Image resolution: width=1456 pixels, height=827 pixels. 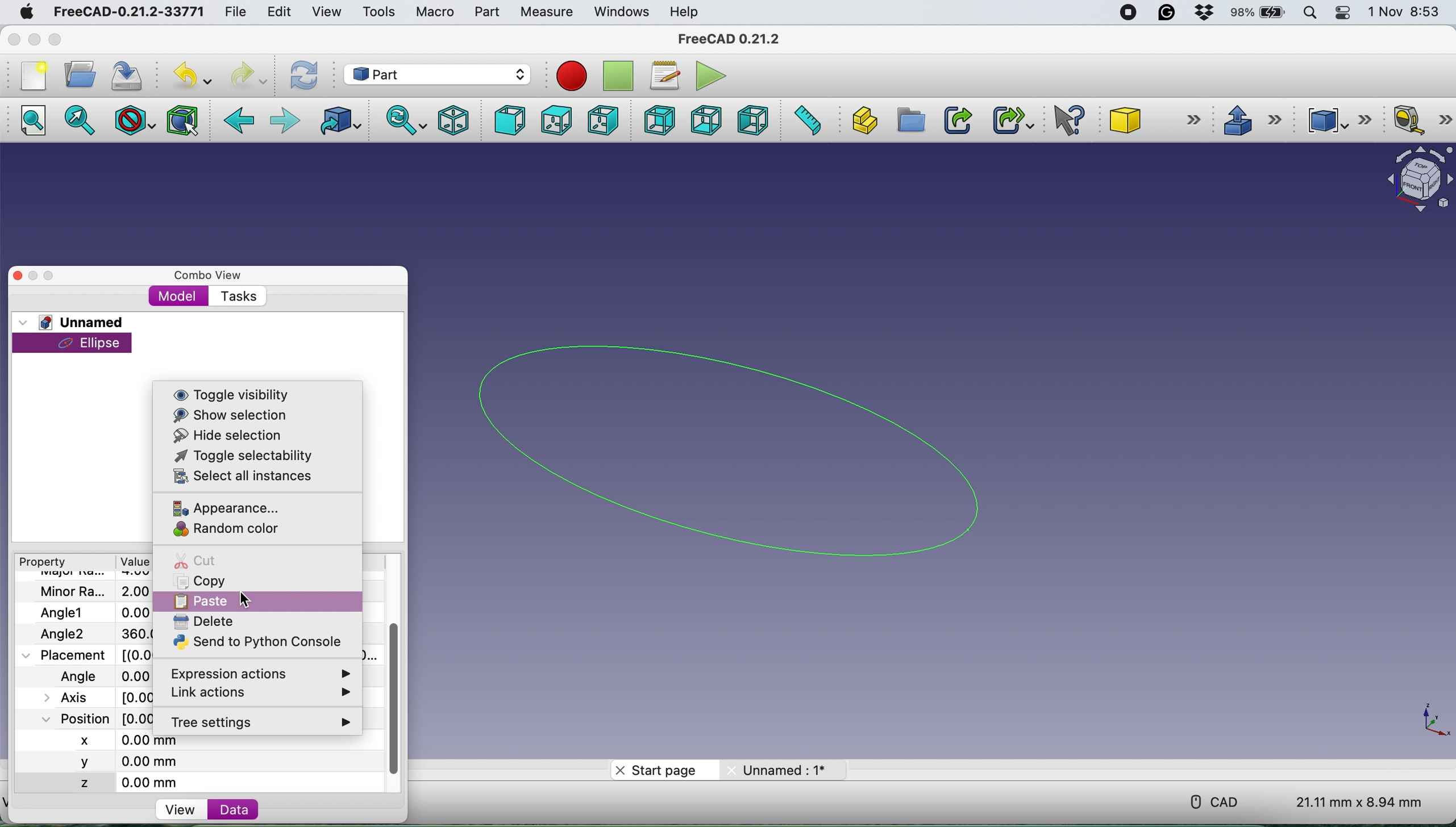 I want to click on close, so click(x=18, y=275).